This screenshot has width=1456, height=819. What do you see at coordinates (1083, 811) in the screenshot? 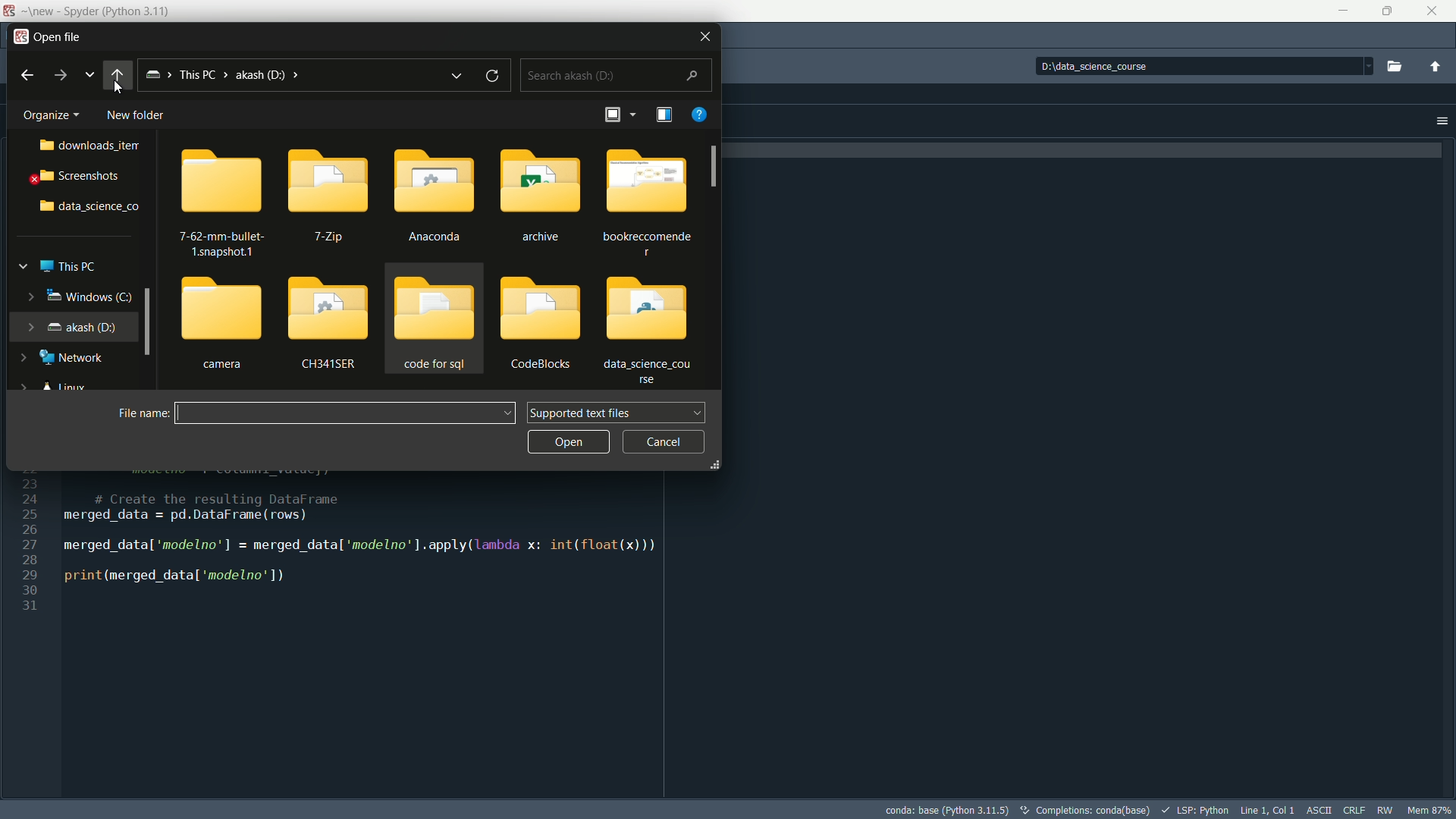
I see `text` at bounding box center [1083, 811].